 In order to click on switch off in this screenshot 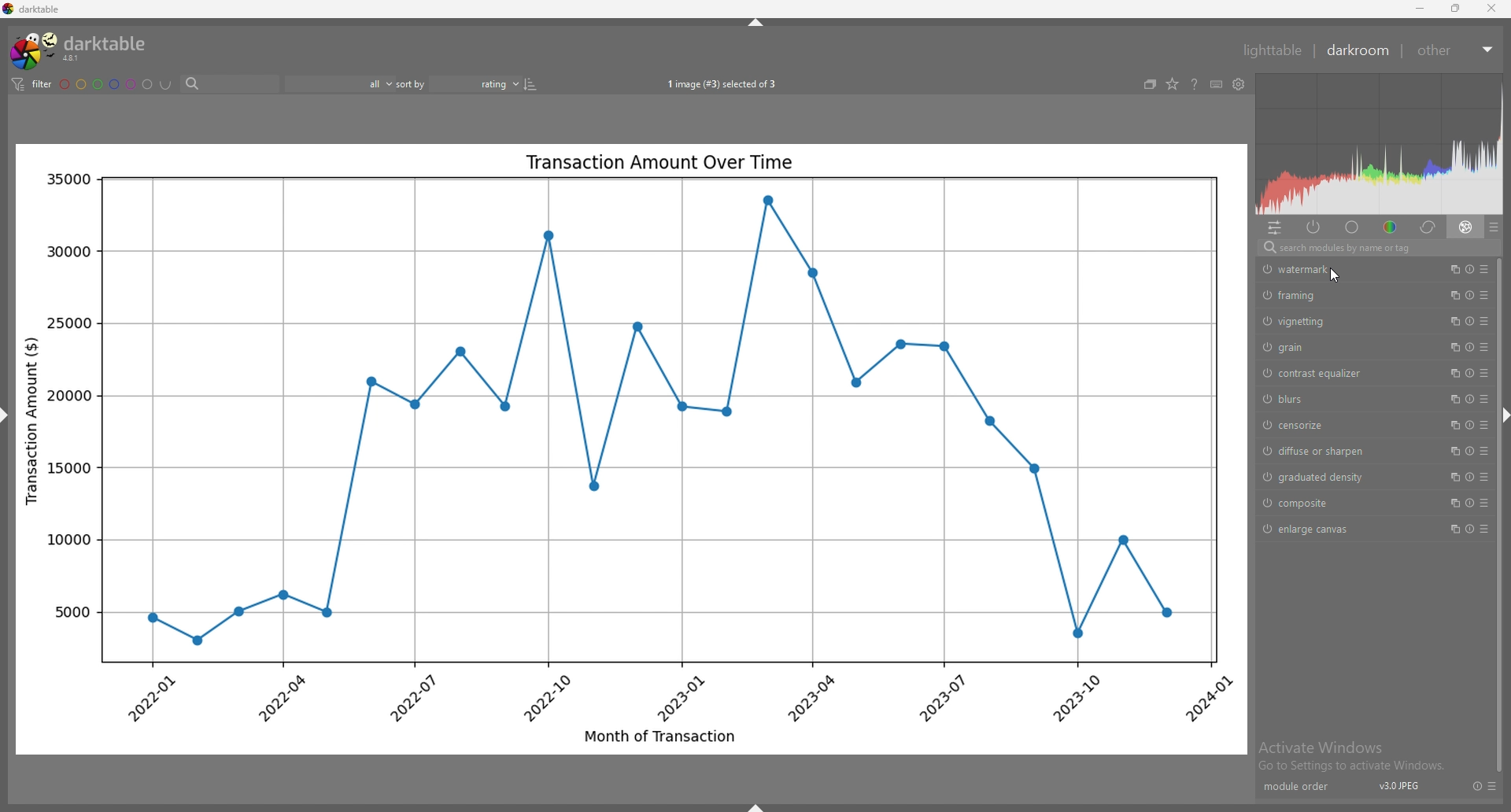, I will do `click(1267, 425)`.